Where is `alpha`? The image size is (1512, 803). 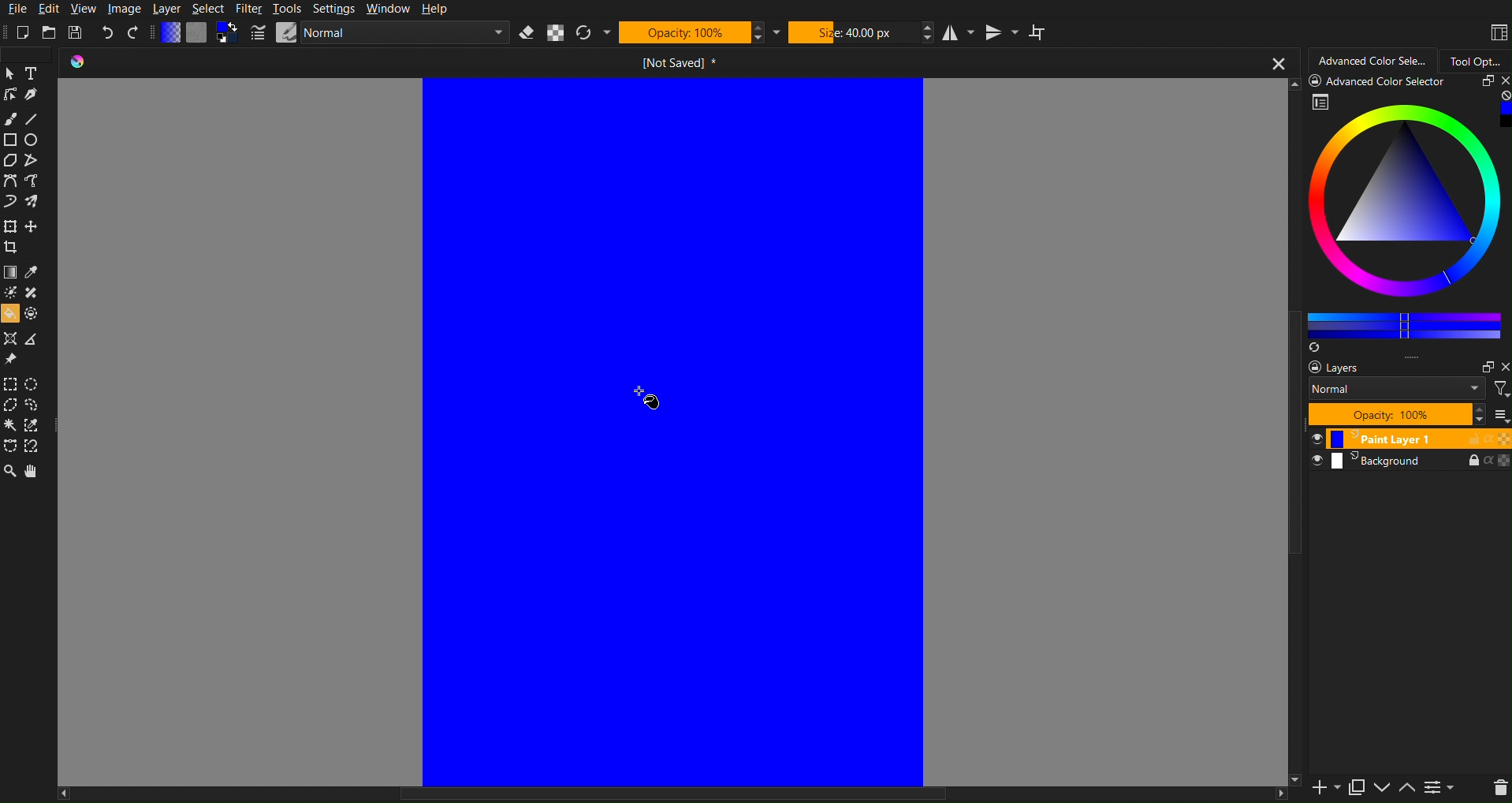 alpha is located at coordinates (1485, 461).